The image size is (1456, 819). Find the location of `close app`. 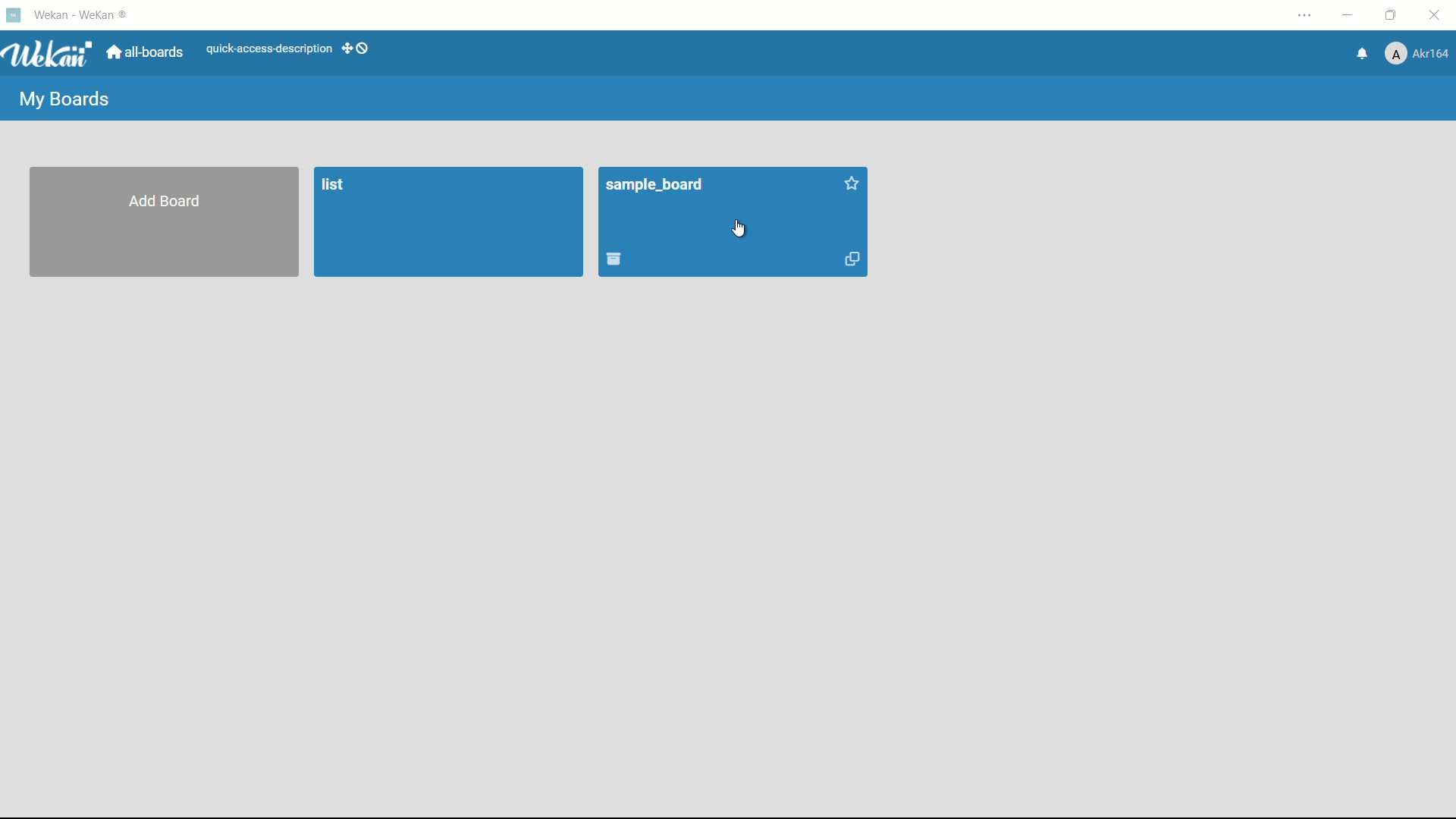

close app is located at coordinates (1438, 16).